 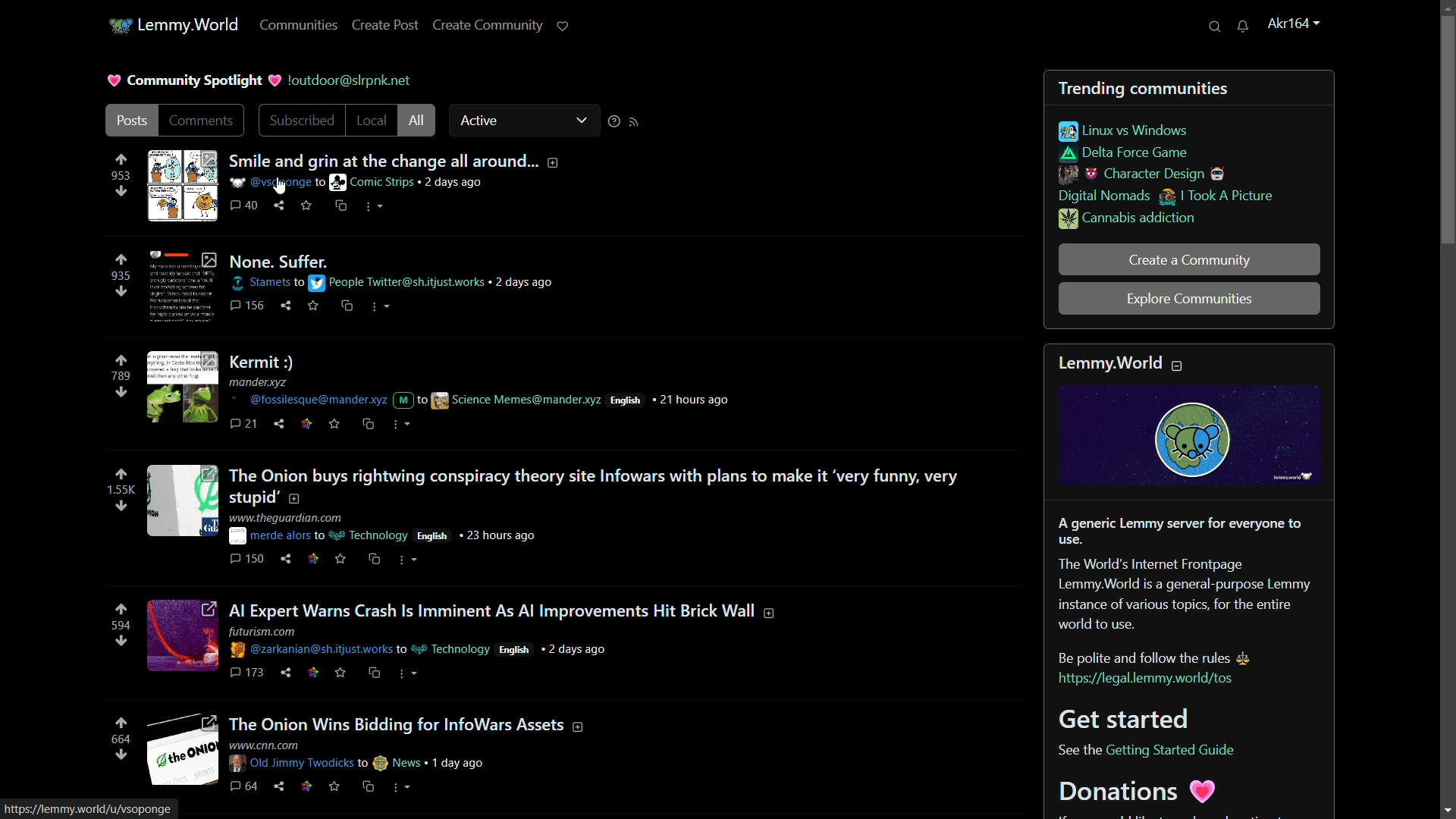 I want to click on post details, so click(x=391, y=528).